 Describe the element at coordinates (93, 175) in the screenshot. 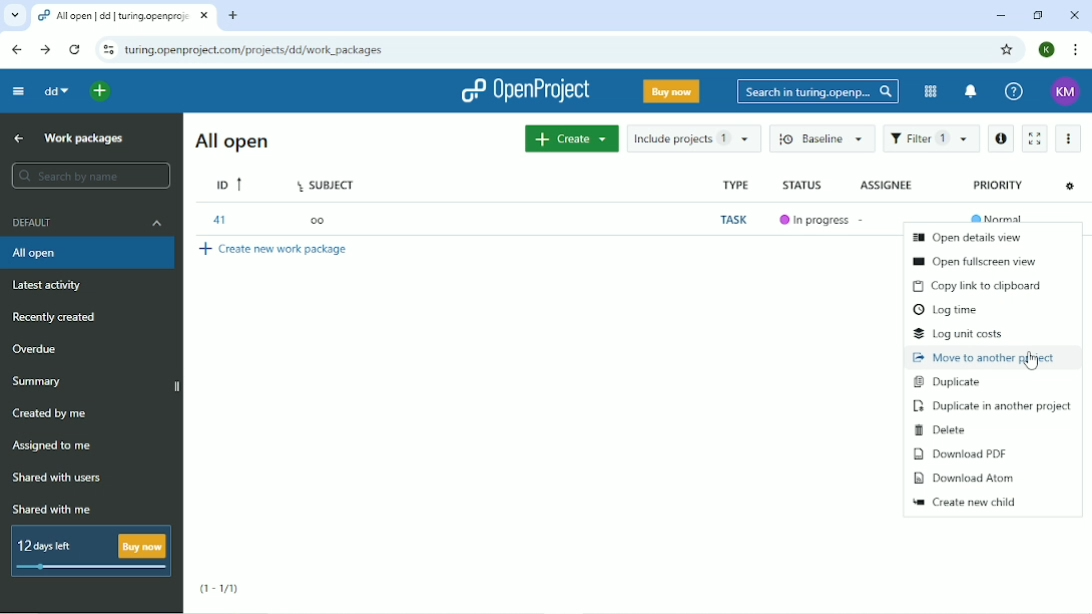

I see `Search by name` at that location.